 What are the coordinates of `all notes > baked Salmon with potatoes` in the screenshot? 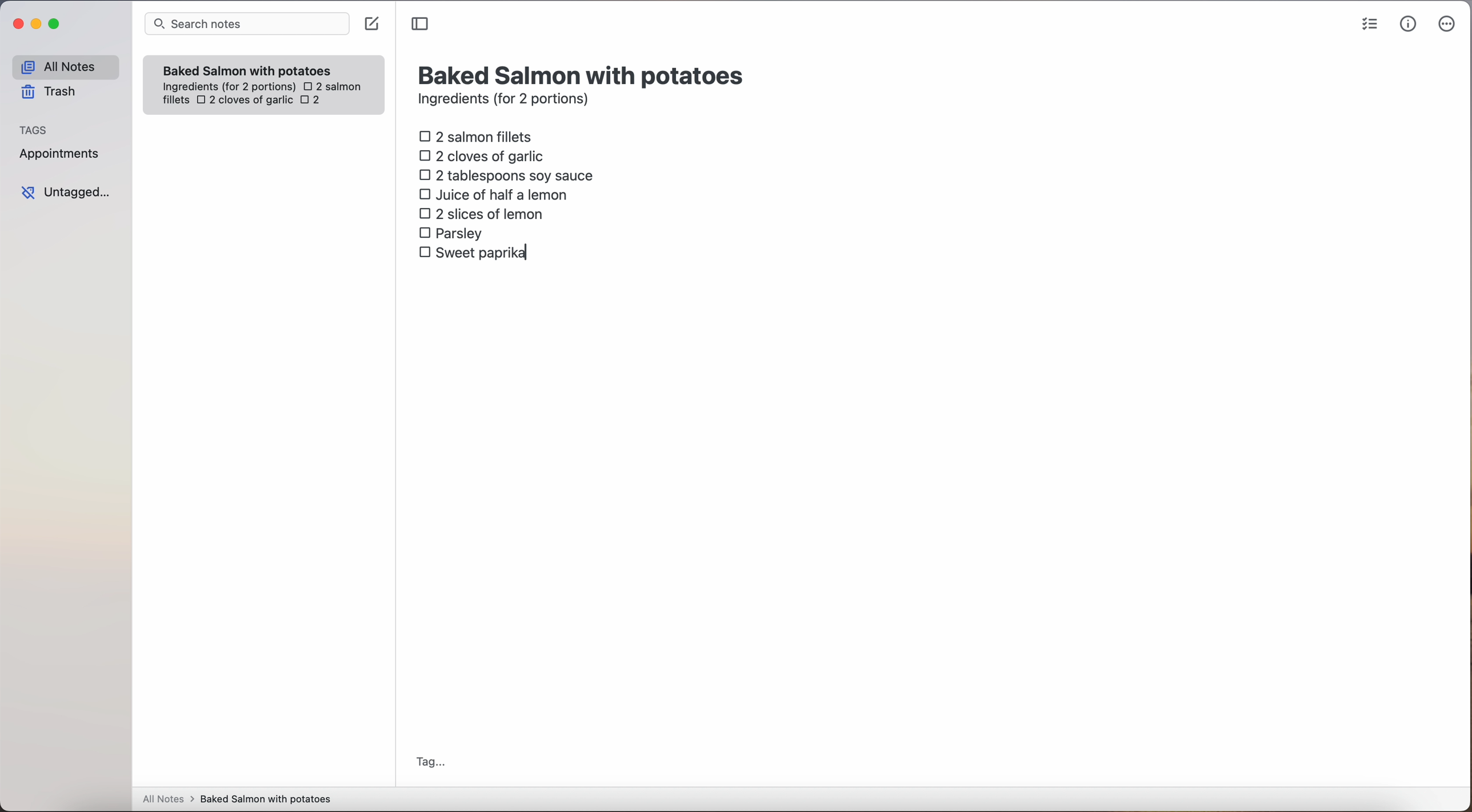 It's located at (237, 798).